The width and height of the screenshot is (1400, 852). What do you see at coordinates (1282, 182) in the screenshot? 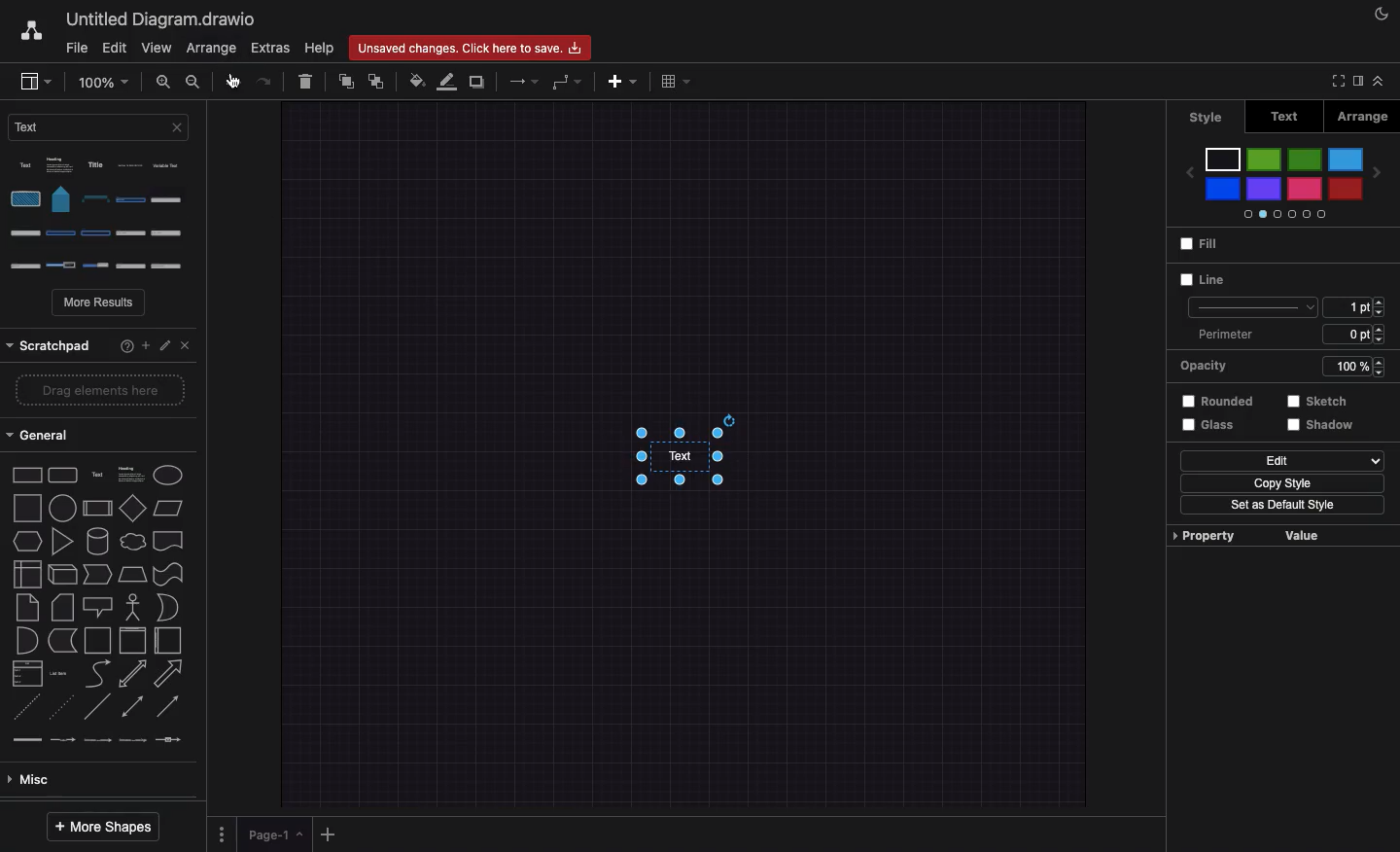
I see `Colors` at bounding box center [1282, 182].